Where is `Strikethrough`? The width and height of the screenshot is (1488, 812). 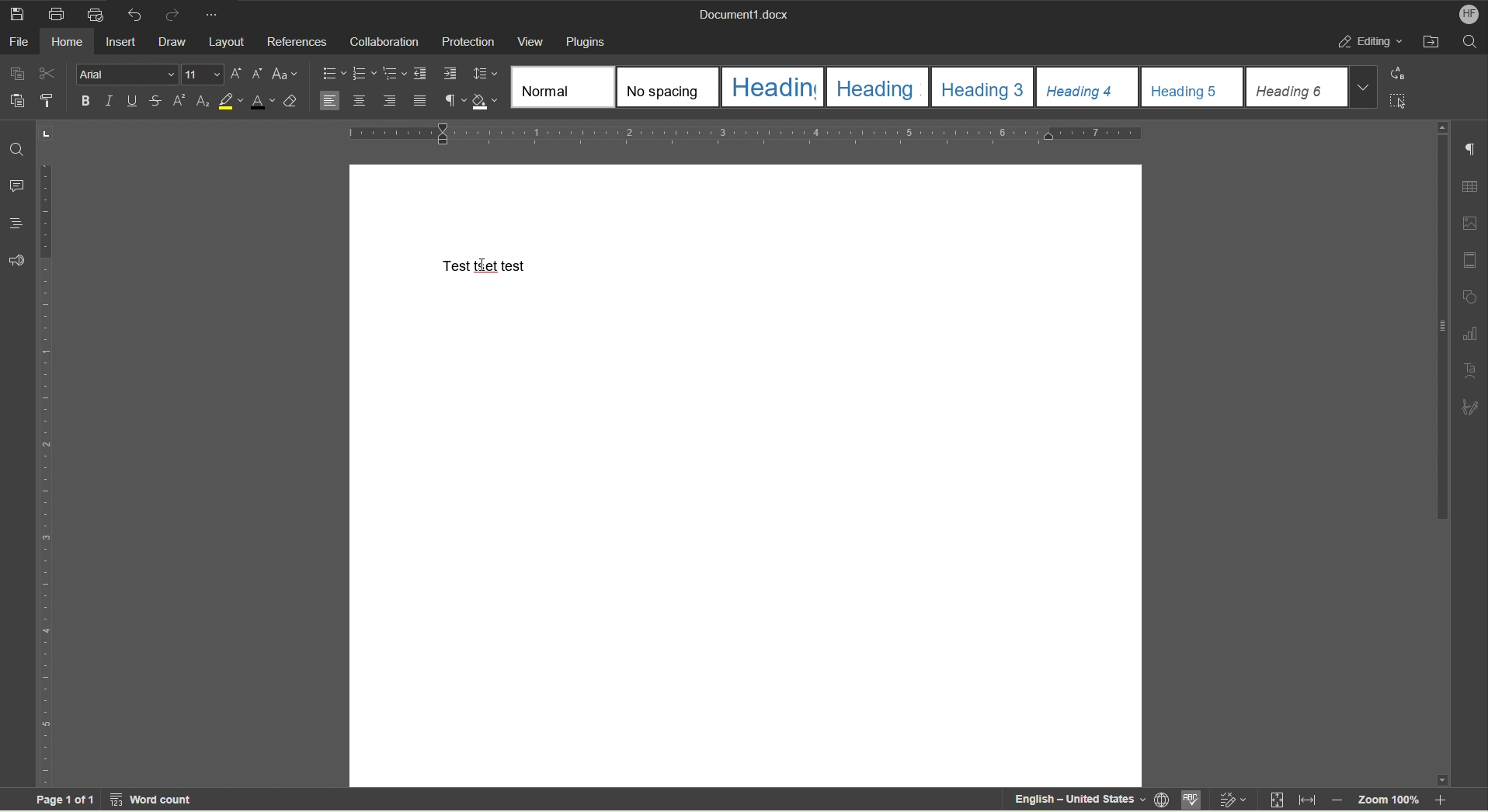 Strikethrough is located at coordinates (158, 102).